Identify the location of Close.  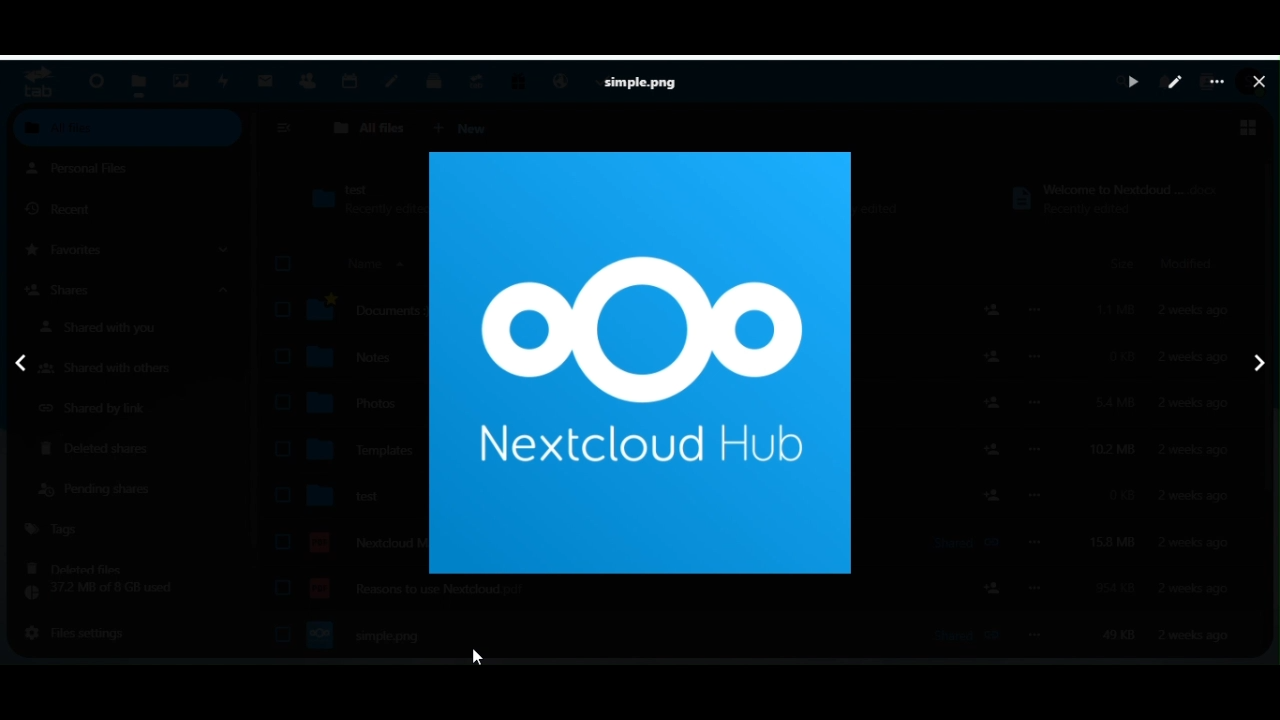
(1259, 81).